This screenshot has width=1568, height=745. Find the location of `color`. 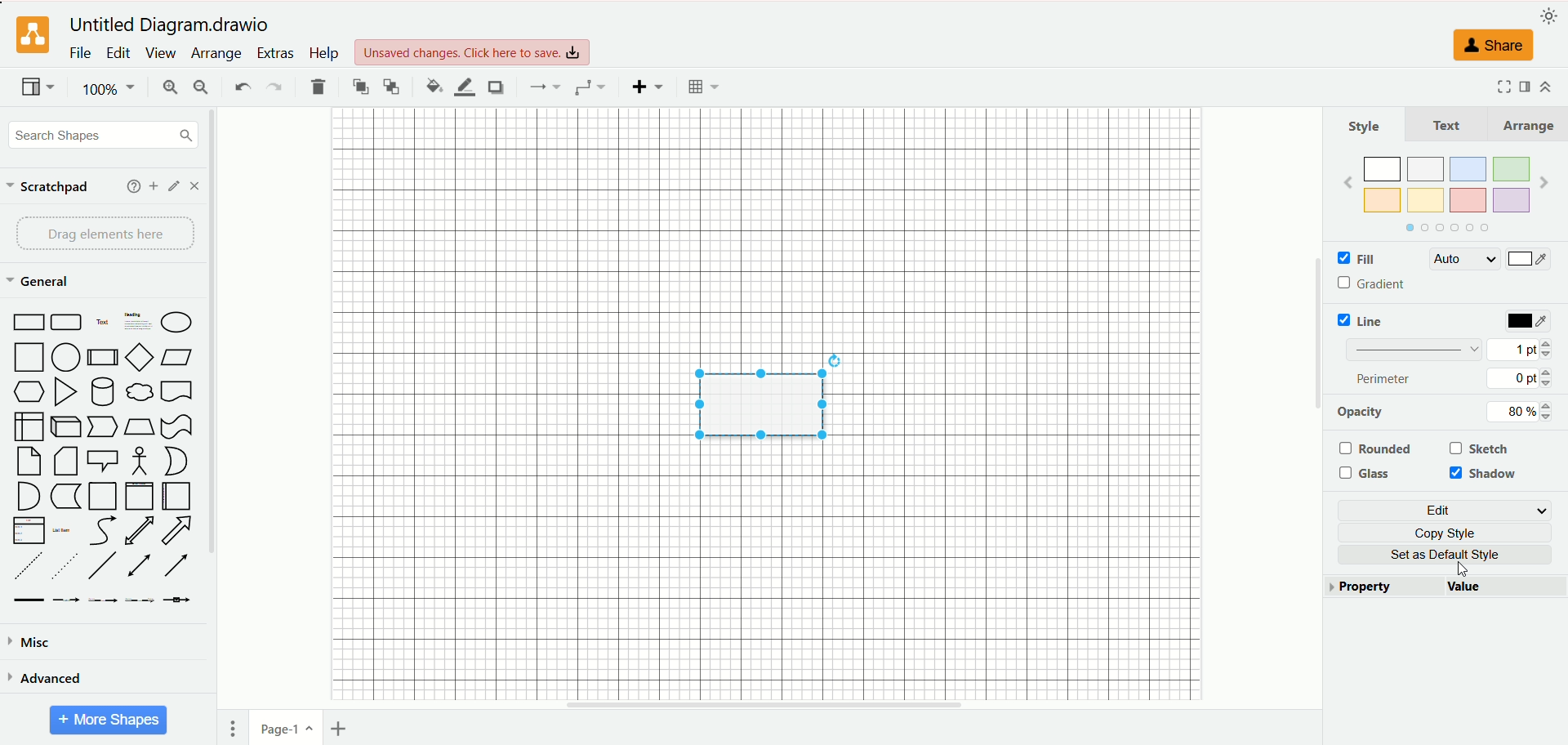

color is located at coordinates (1528, 261).